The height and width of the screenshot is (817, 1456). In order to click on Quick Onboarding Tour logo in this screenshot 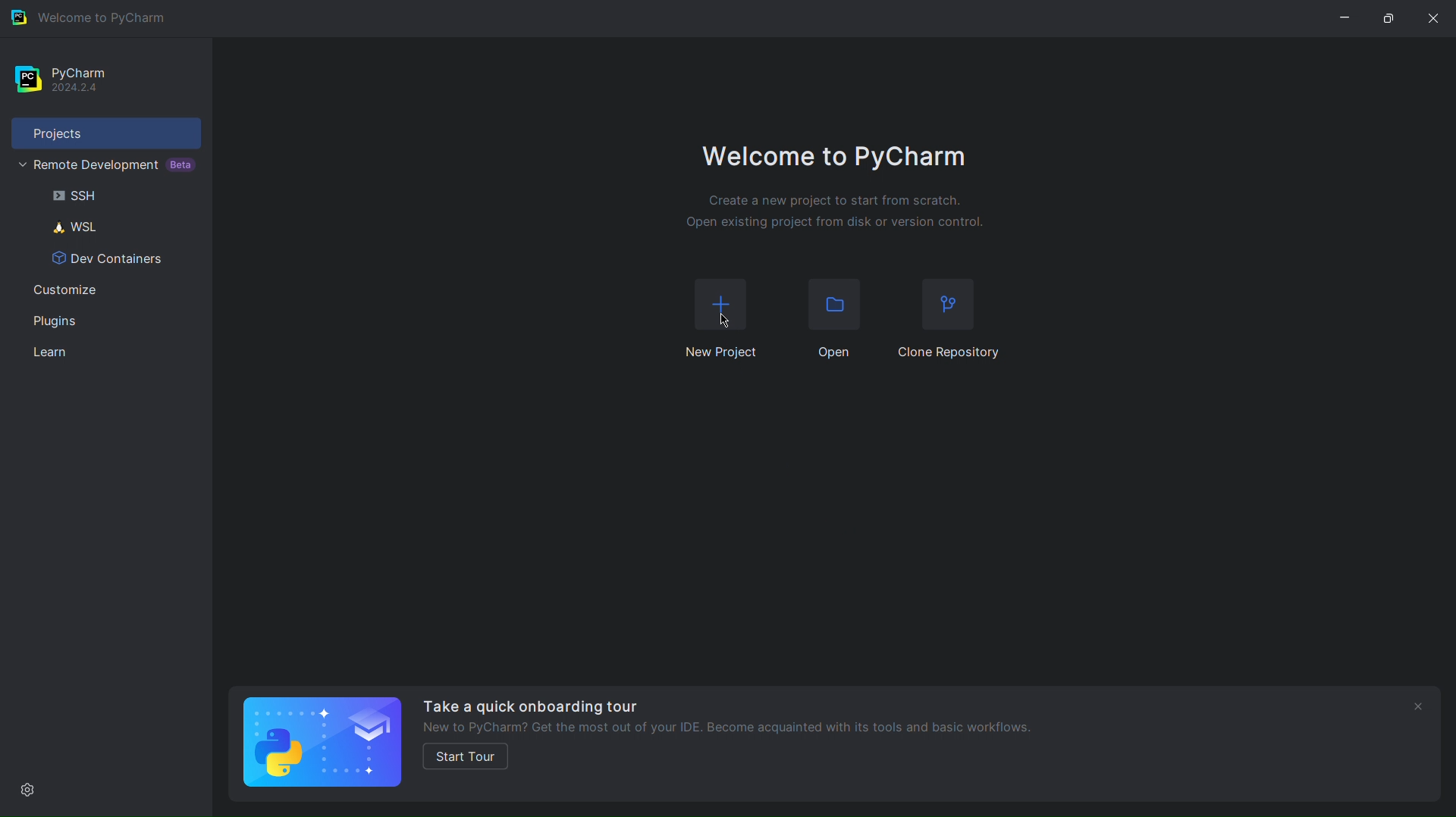, I will do `click(324, 746)`.